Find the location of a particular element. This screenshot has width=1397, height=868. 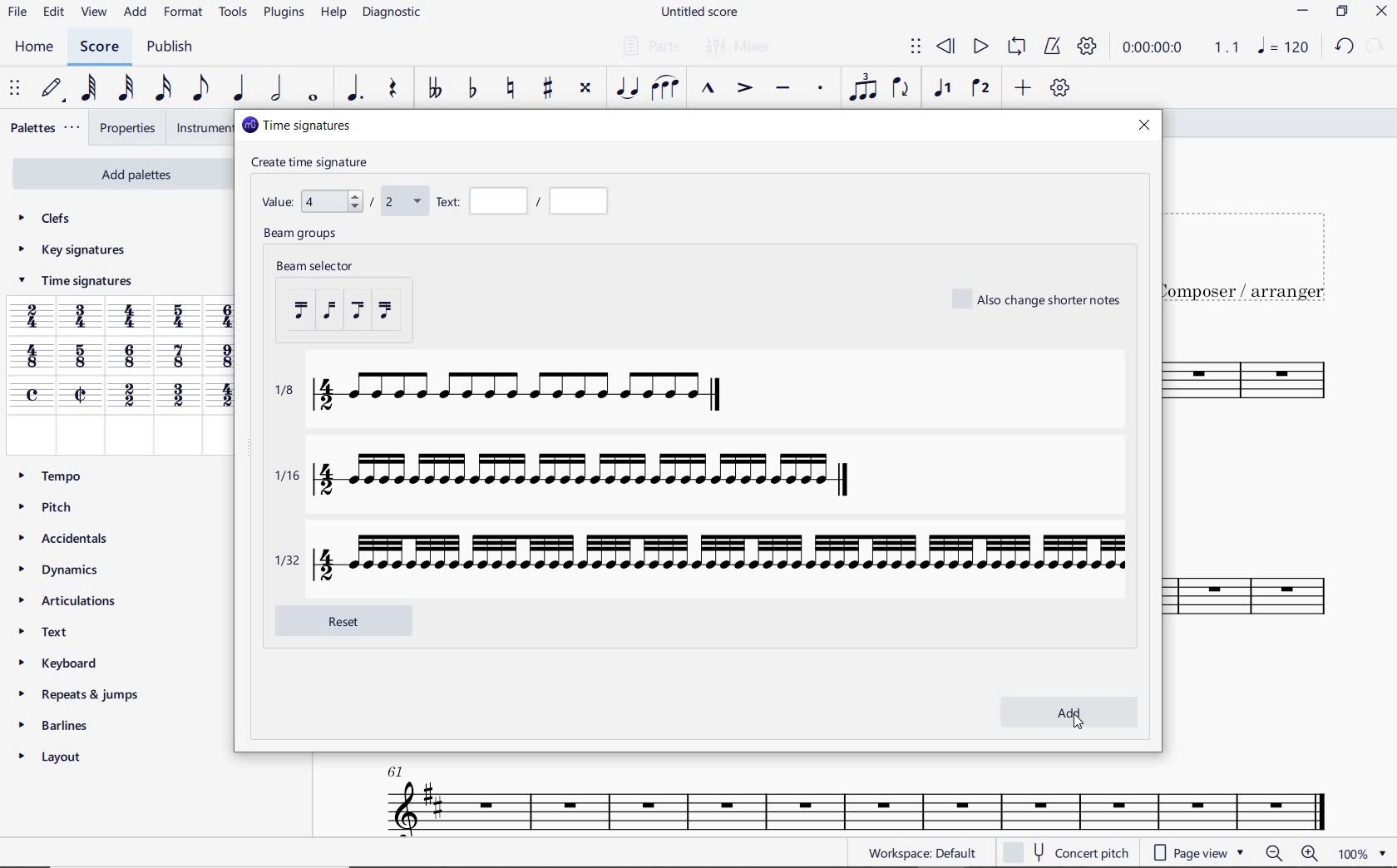

zoom factor is located at coordinates (1360, 853).